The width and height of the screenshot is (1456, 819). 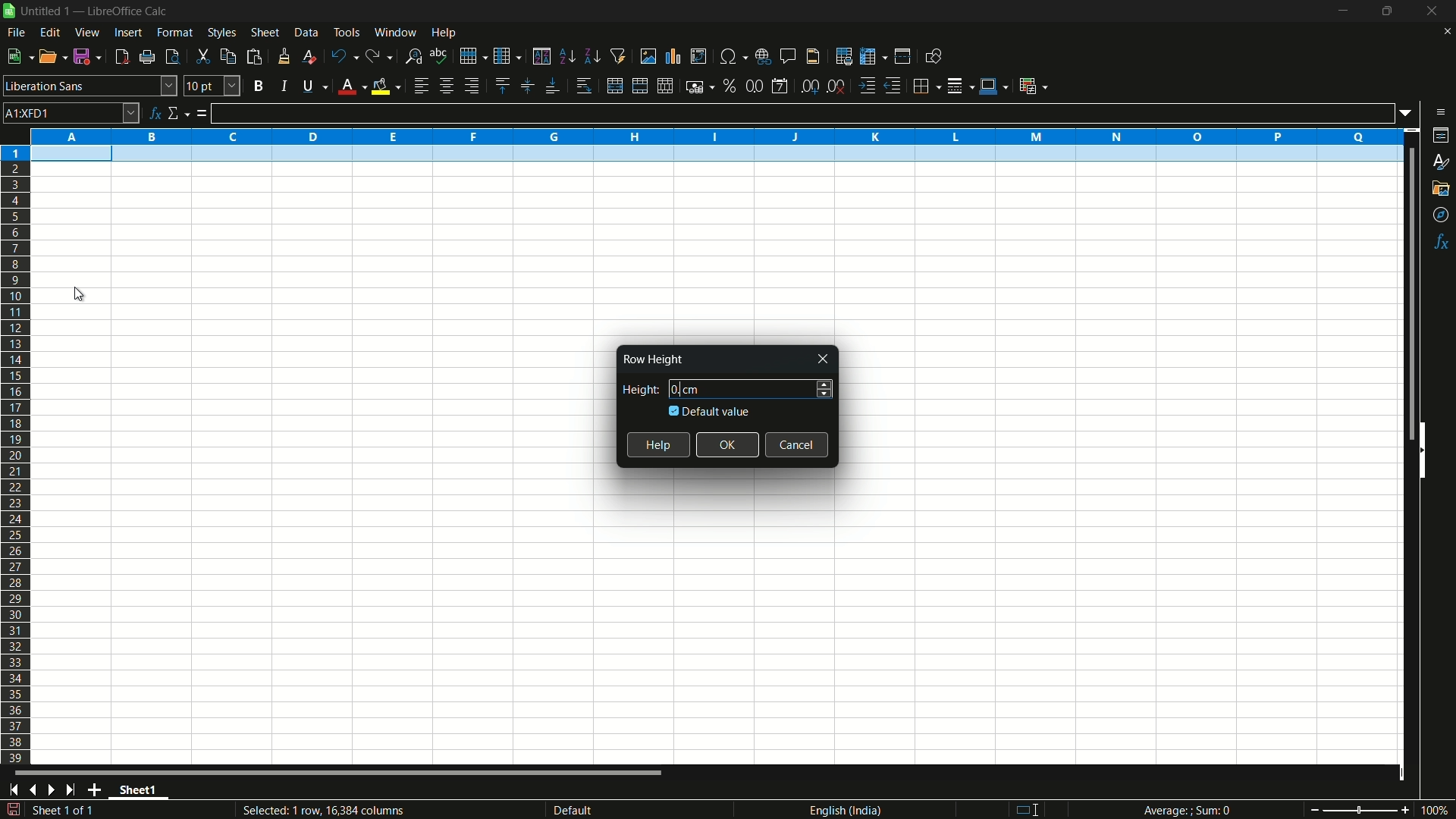 What do you see at coordinates (312, 87) in the screenshot?
I see `underline` at bounding box center [312, 87].